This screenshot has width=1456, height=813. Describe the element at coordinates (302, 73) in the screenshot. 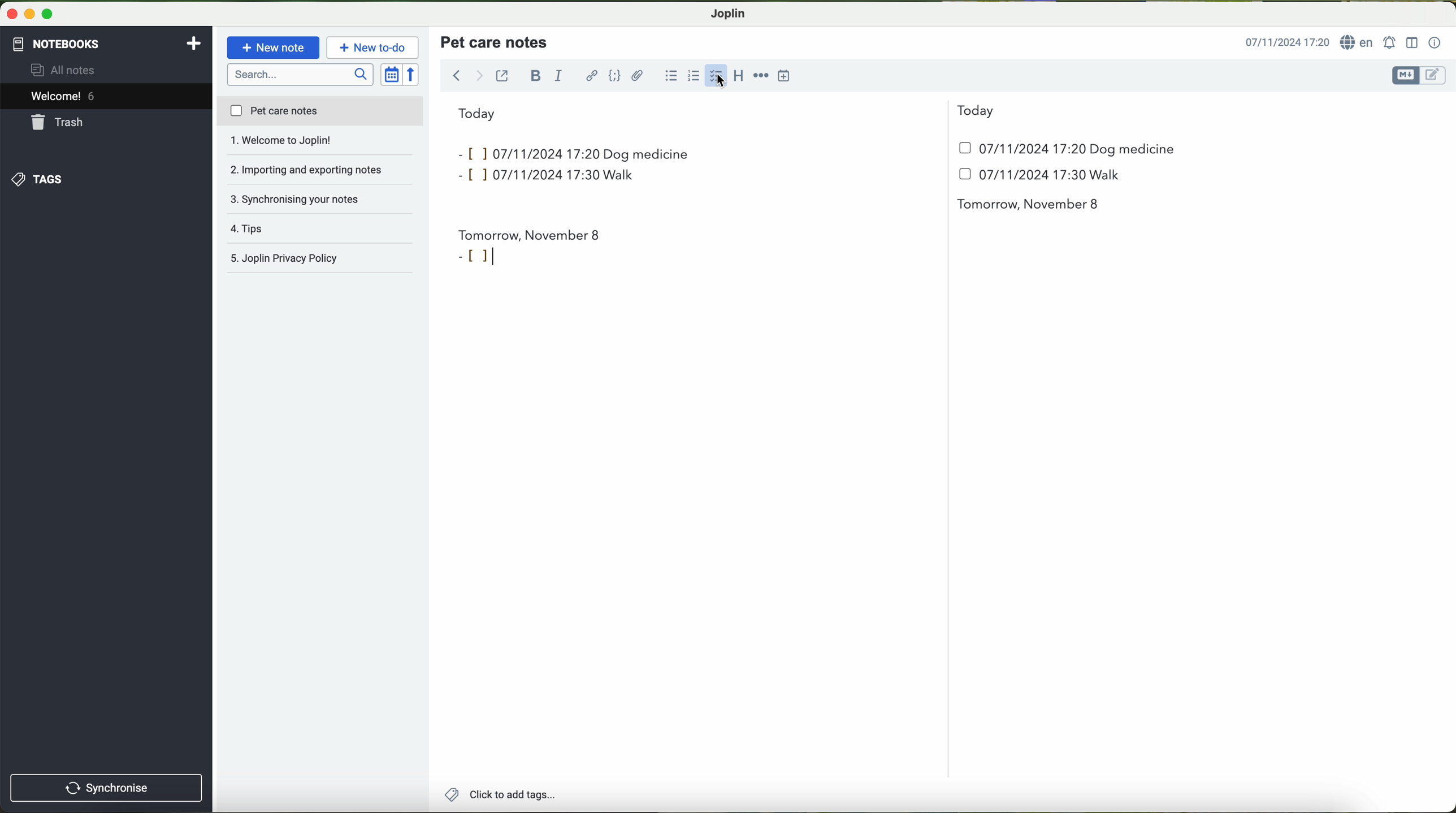

I see `search bar` at that location.